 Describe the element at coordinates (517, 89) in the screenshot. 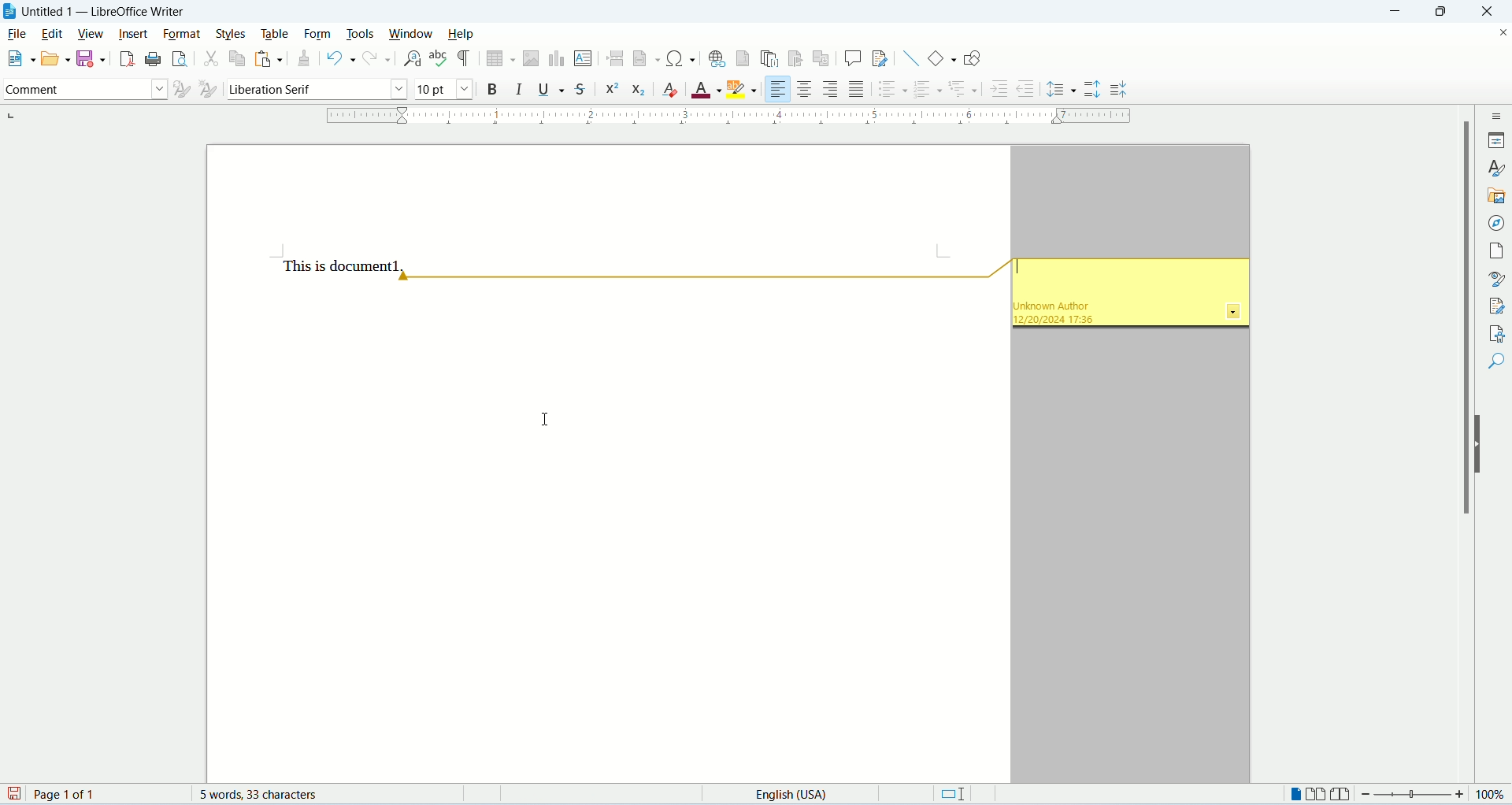

I see `italics` at that location.